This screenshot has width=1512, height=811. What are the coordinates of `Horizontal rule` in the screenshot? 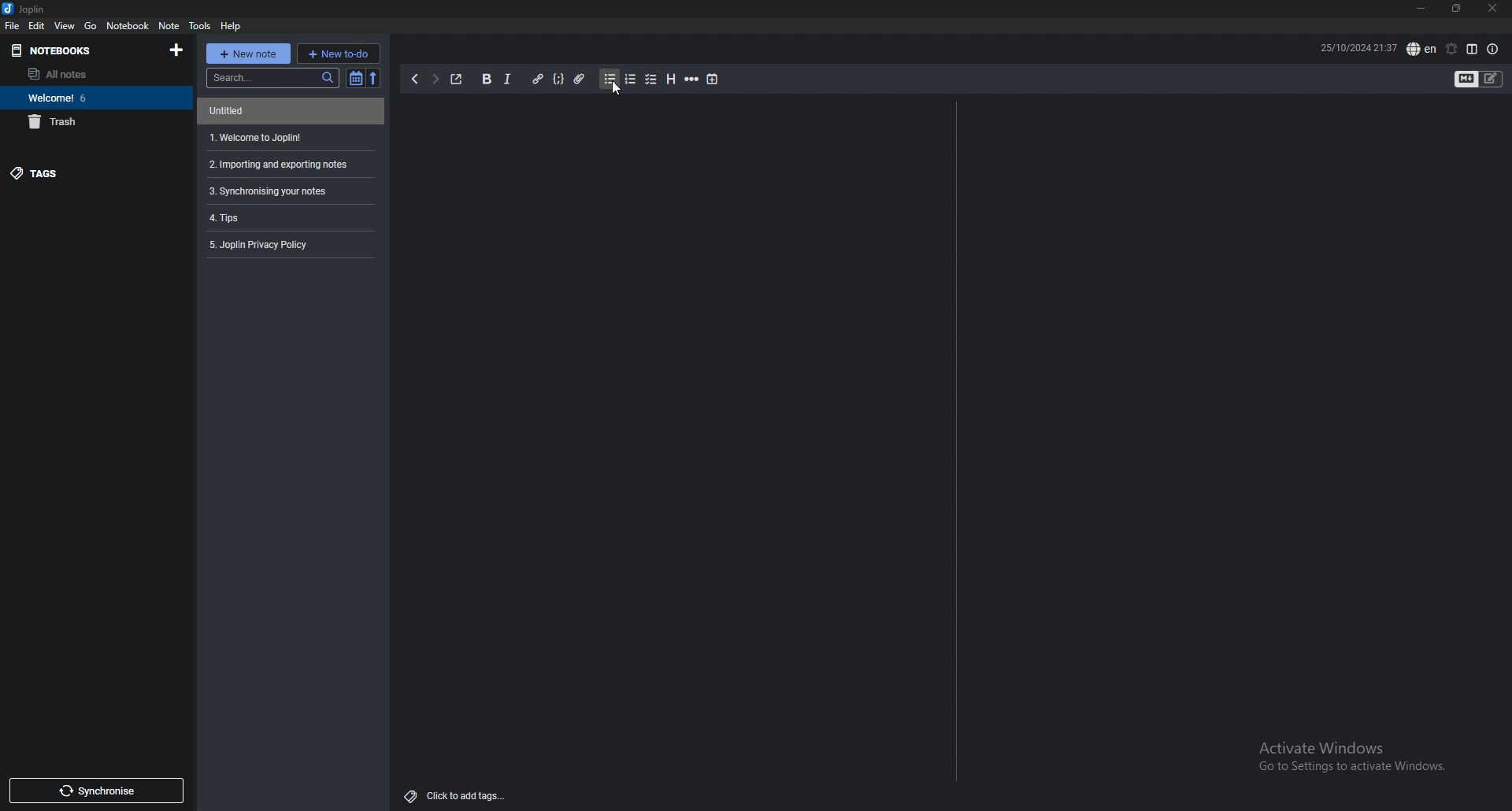 It's located at (689, 80).